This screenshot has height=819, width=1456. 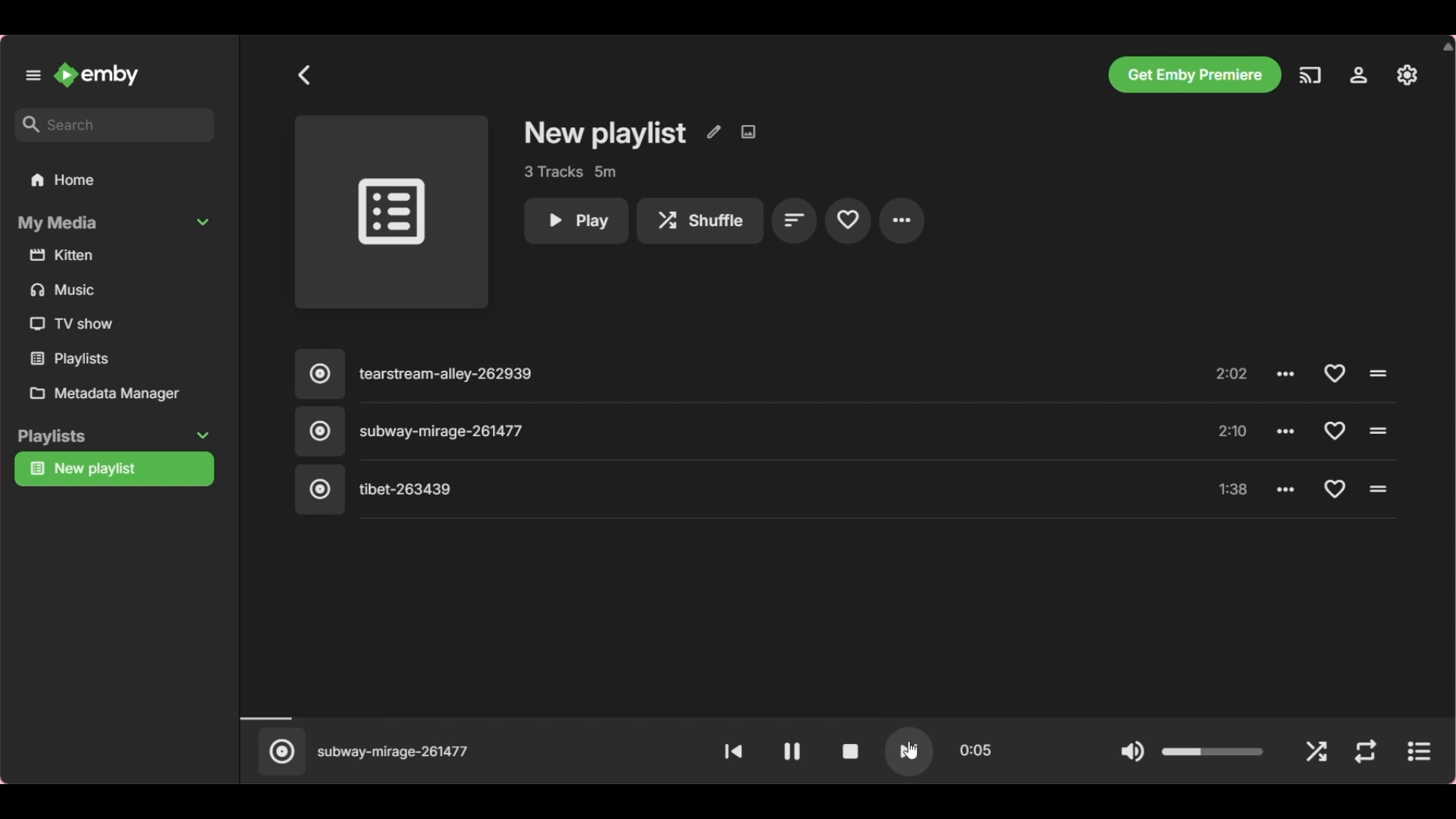 What do you see at coordinates (698, 221) in the screenshot?
I see `Shuffle` at bounding box center [698, 221].